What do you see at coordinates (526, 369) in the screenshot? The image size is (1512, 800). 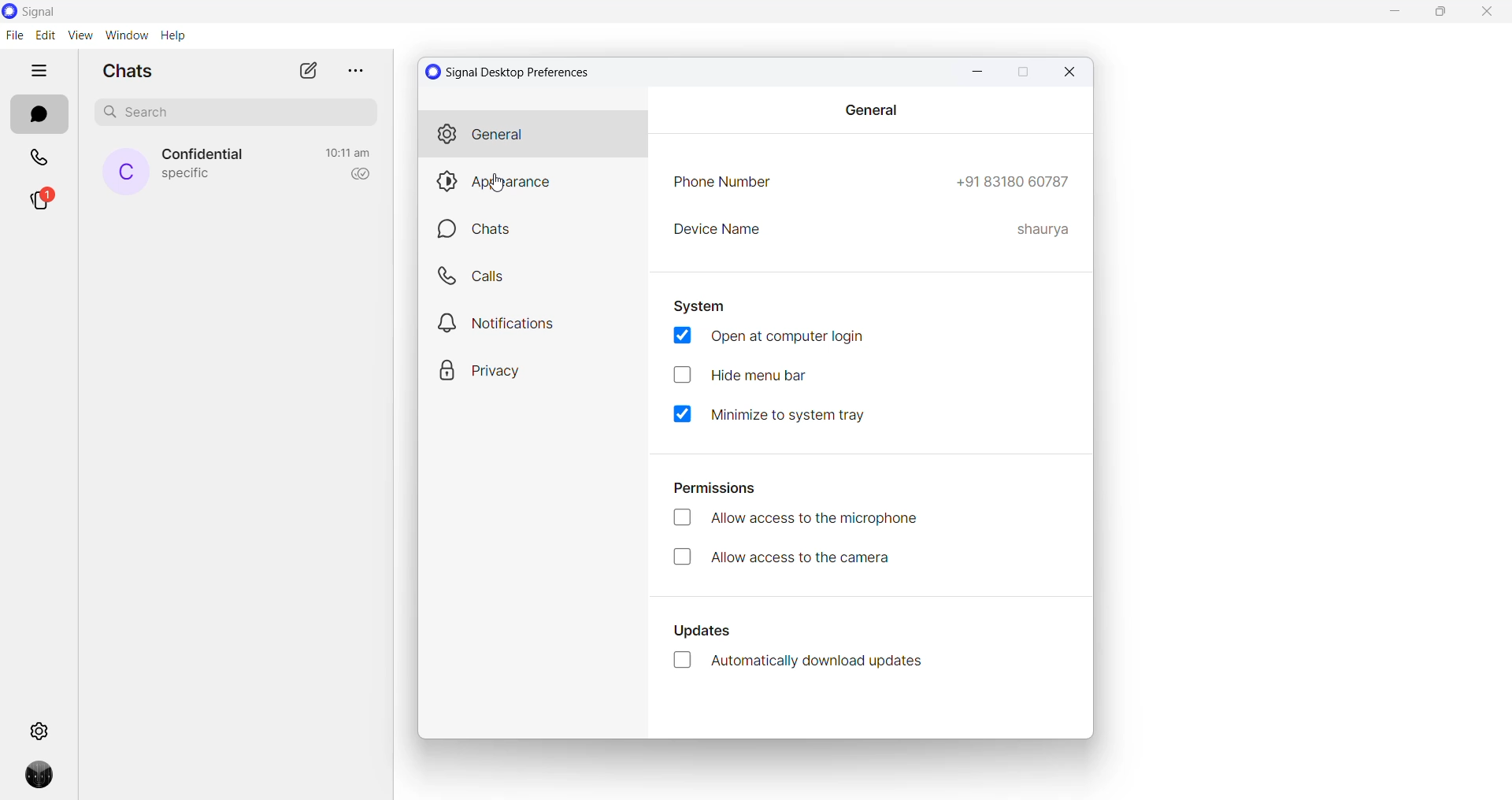 I see `privacy` at bounding box center [526, 369].